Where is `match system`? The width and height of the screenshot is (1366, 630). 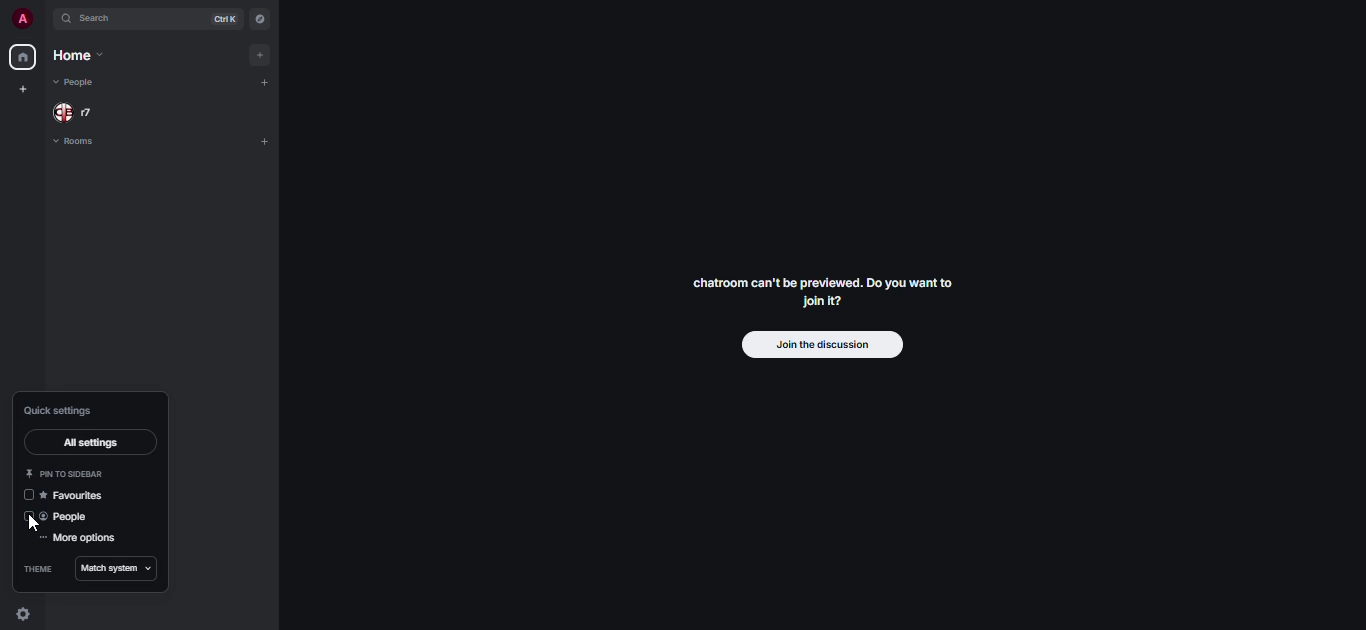
match system is located at coordinates (111, 569).